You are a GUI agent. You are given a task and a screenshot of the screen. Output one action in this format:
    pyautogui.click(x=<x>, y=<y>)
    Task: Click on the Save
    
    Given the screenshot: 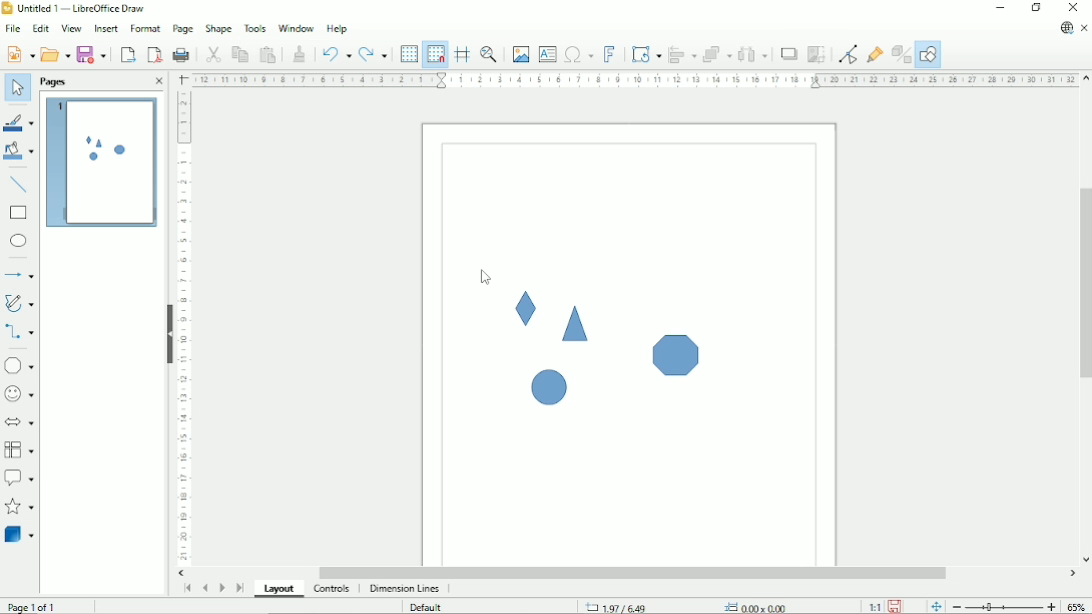 What is the action you would take?
    pyautogui.click(x=895, y=606)
    